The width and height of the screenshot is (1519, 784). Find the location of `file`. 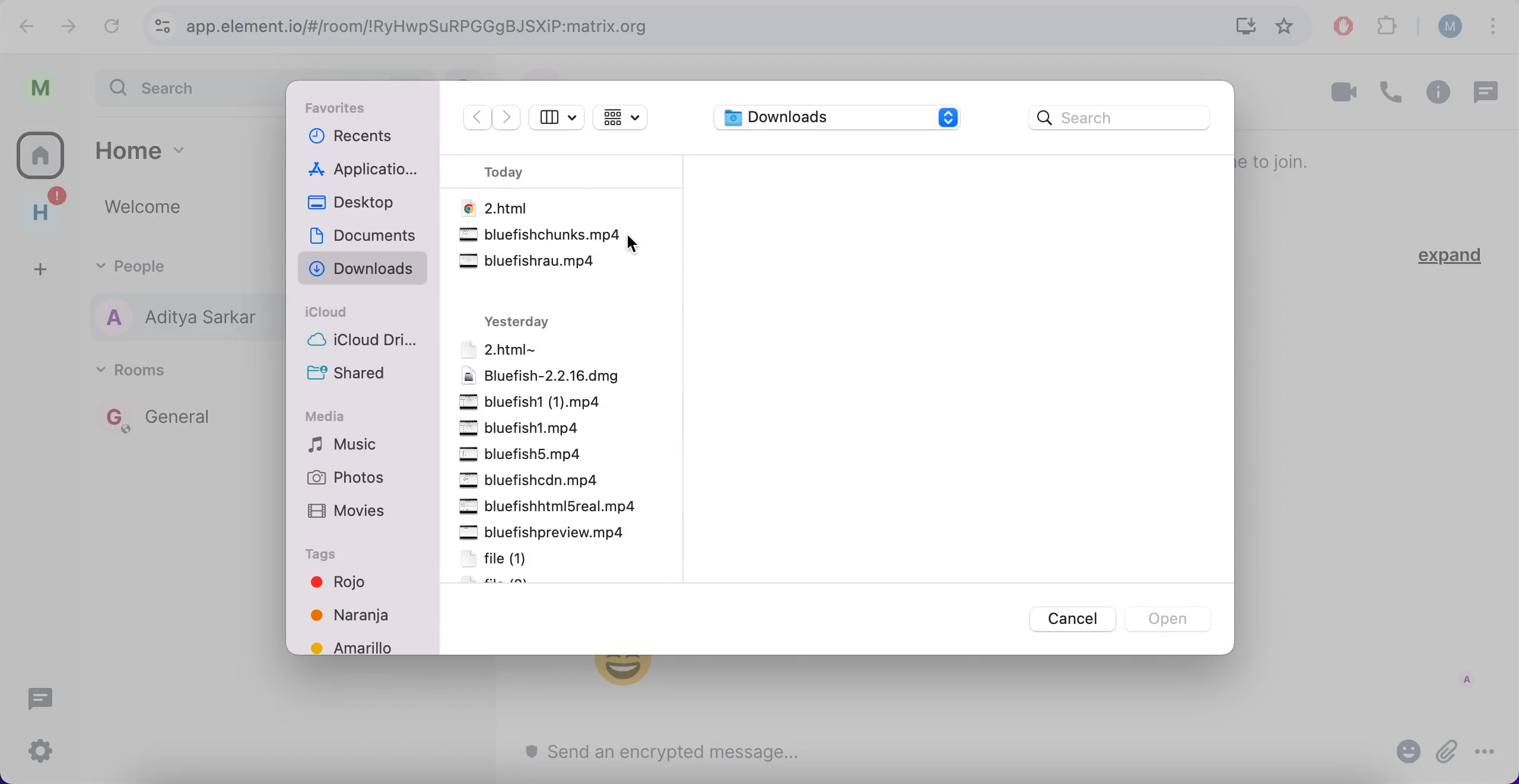

file is located at coordinates (520, 427).